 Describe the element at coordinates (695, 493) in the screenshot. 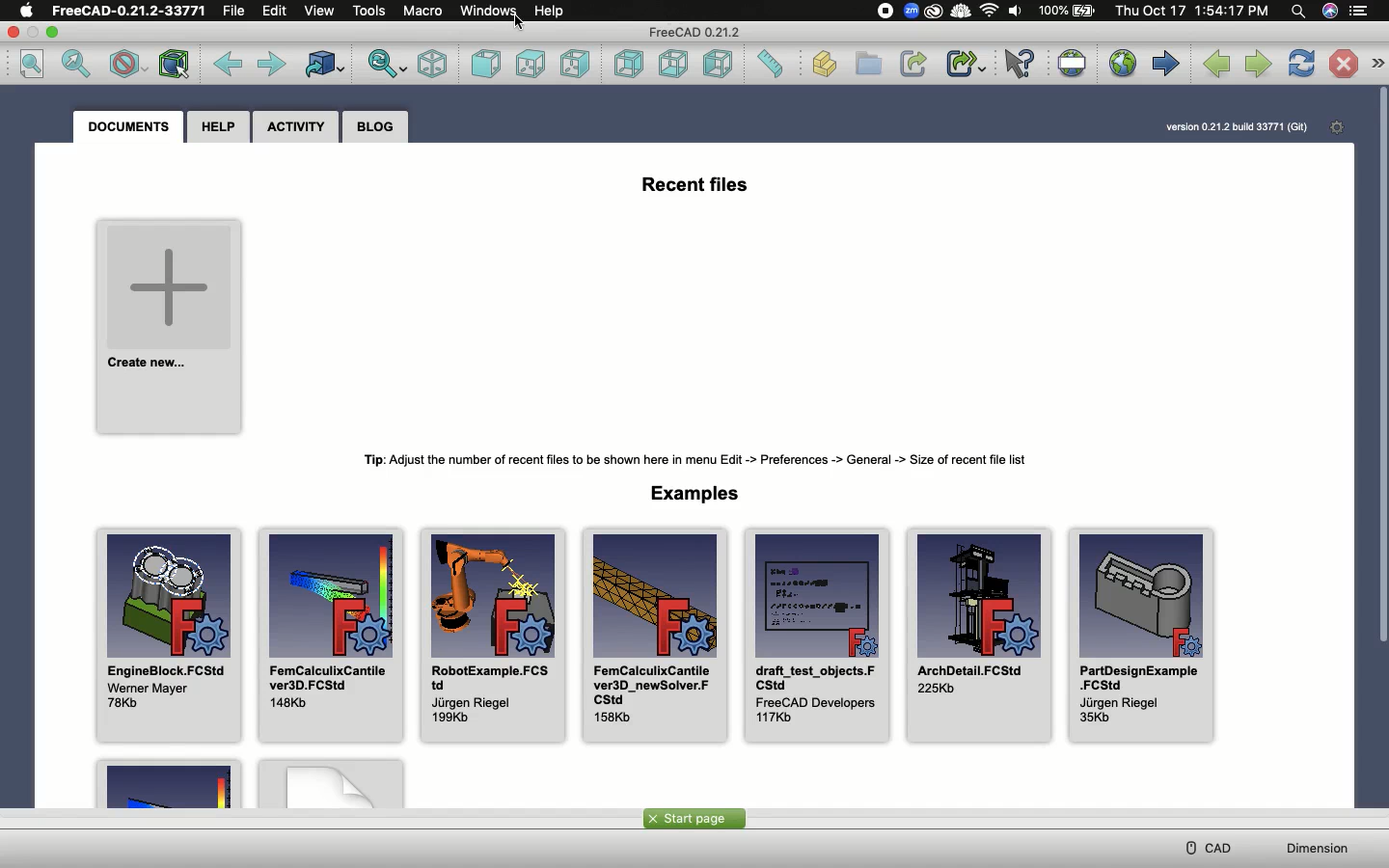

I see `Examples` at that location.